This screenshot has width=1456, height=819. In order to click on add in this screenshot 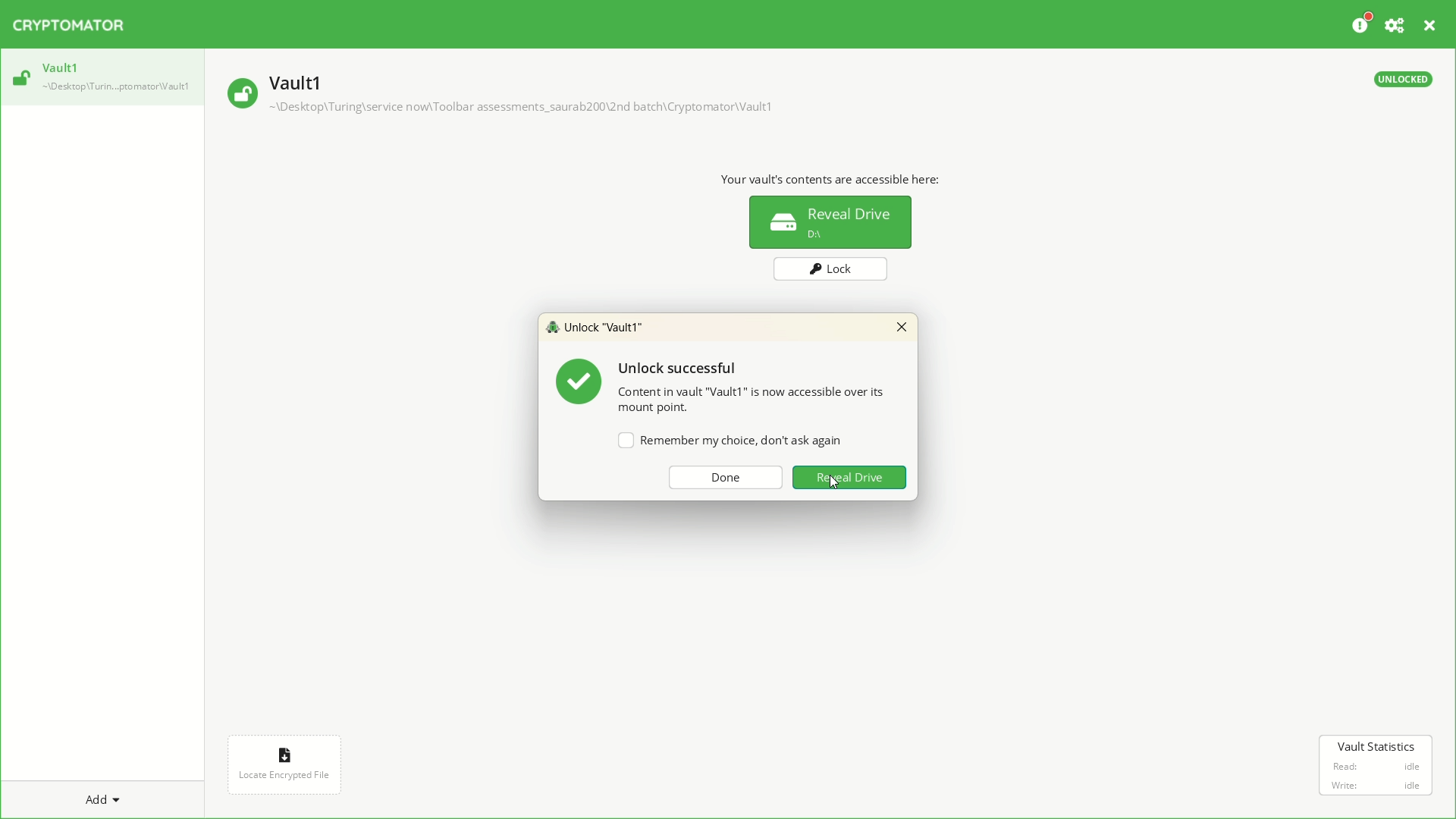, I will do `click(108, 797)`.